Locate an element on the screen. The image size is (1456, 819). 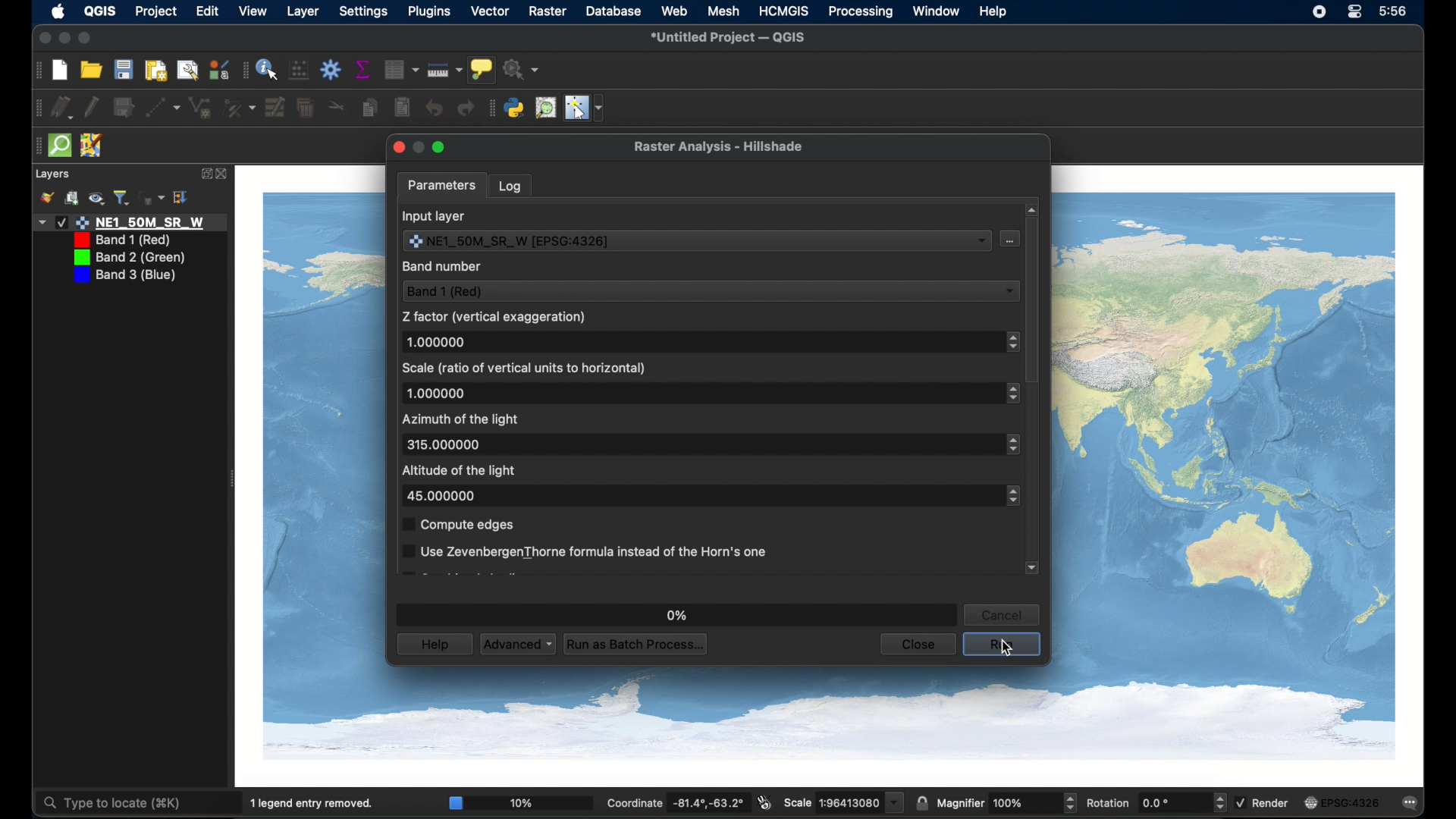
layer is located at coordinates (303, 11).